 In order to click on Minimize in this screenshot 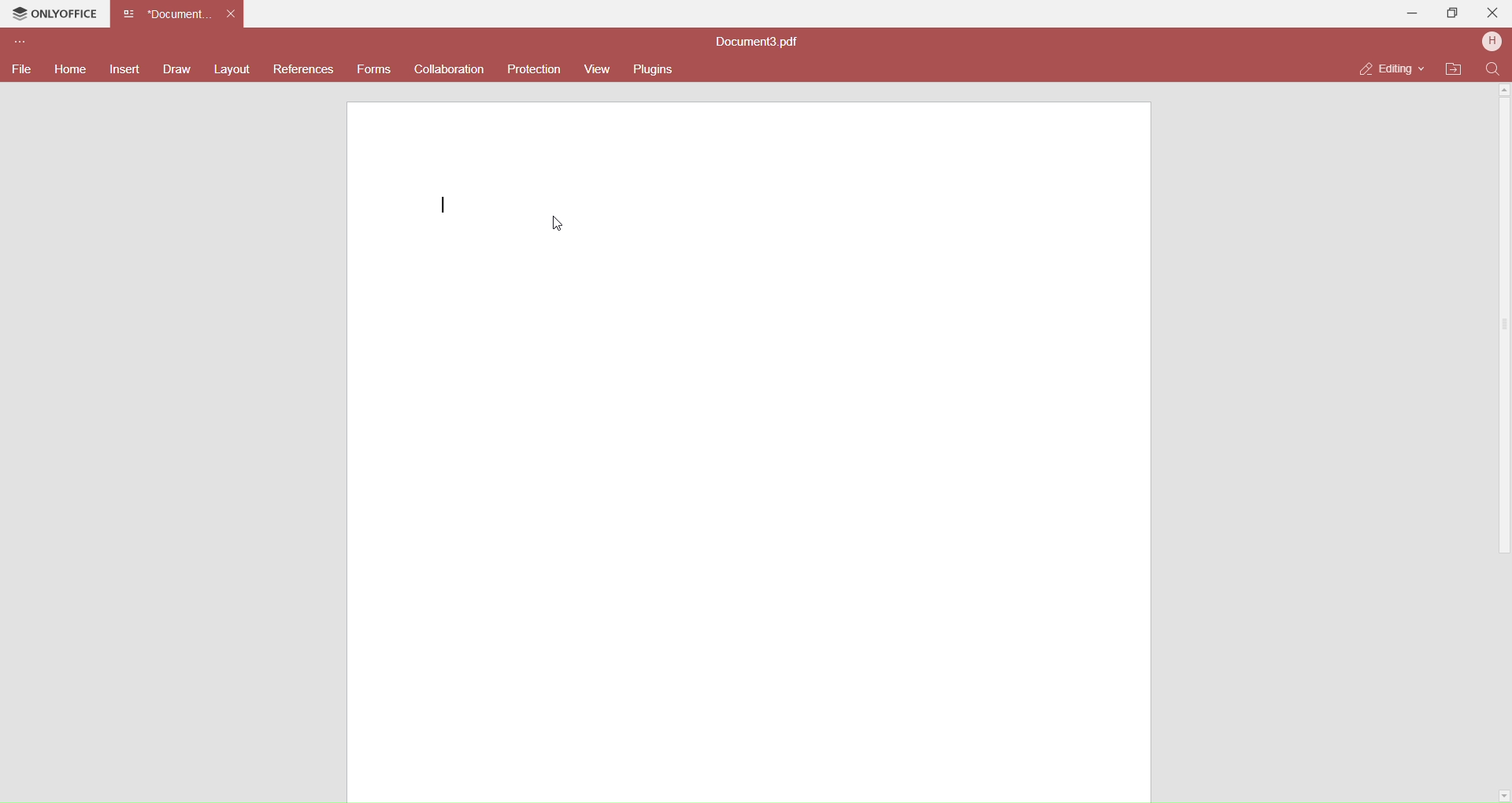, I will do `click(1413, 13)`.